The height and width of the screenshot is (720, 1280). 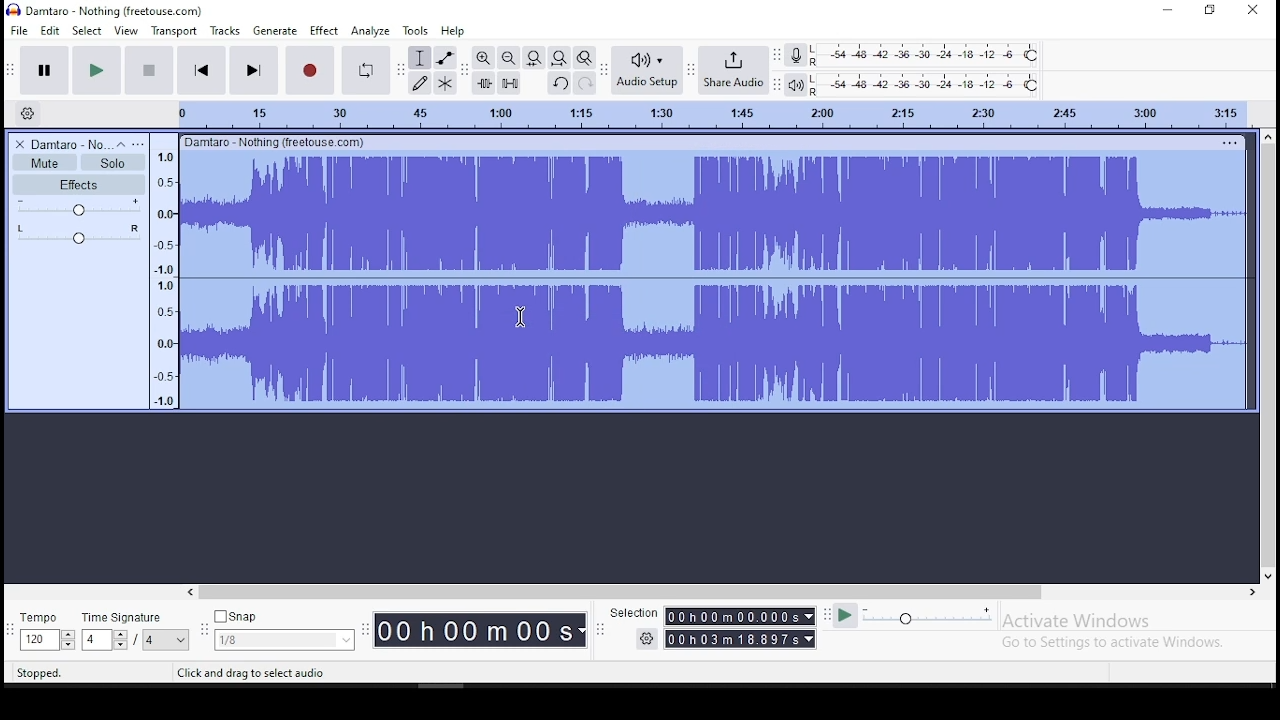 What do you see at coordinates (40, 673) in the screenshot?
I see `stopped` at bounding box center [40, 673].